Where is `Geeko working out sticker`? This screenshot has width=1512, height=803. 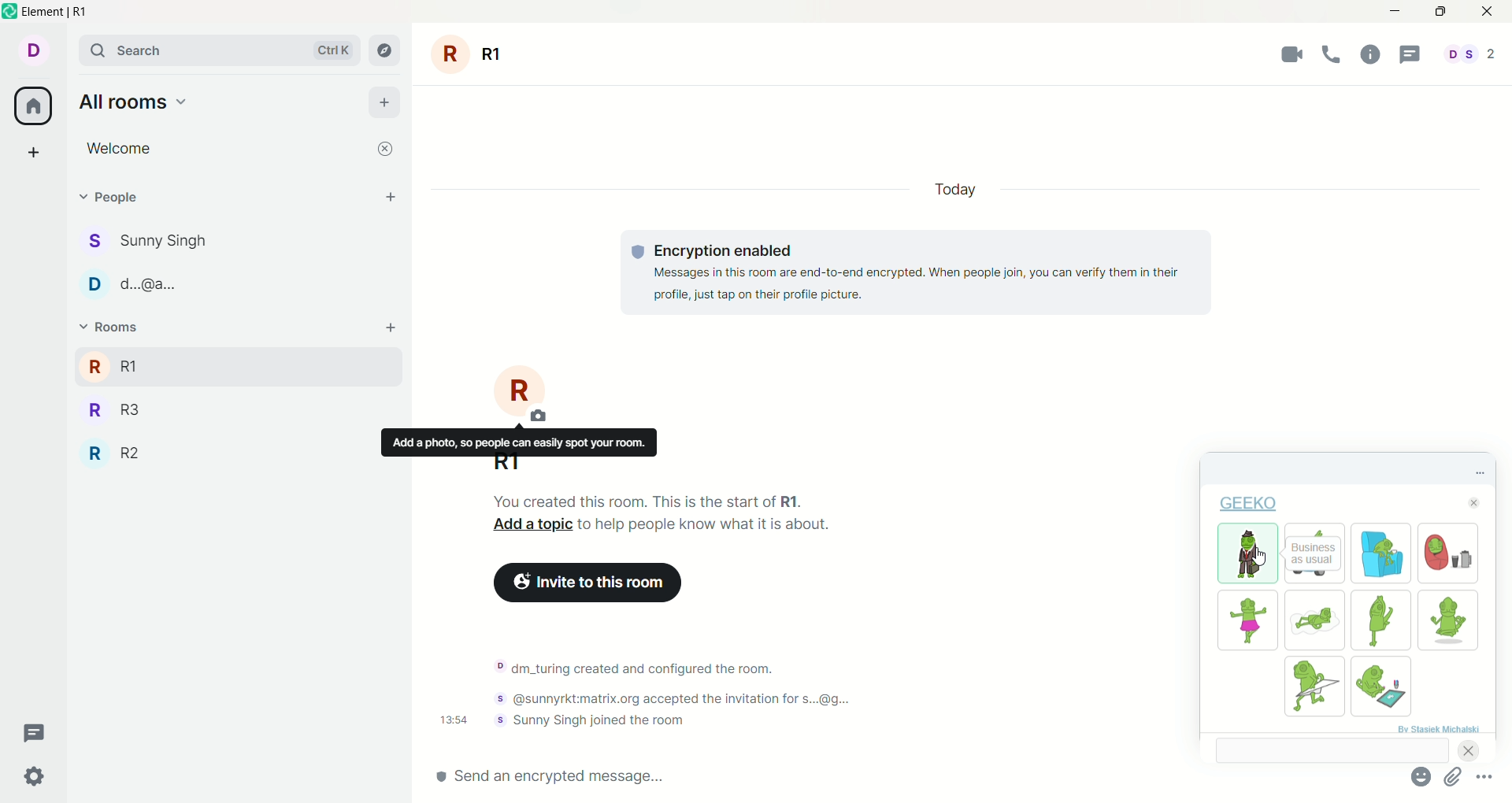
Geeko working out sticker is located at coordinates (1380, 620).